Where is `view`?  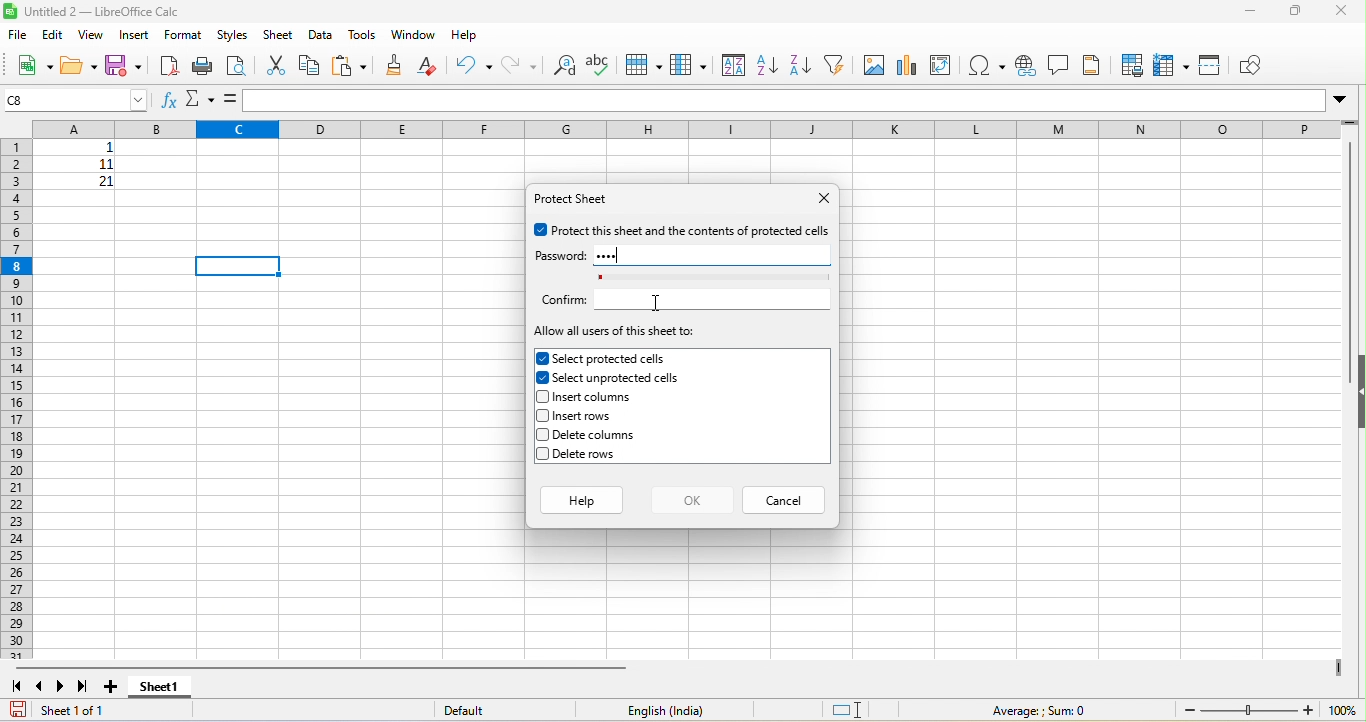
view is located at coordinates (92, 34).